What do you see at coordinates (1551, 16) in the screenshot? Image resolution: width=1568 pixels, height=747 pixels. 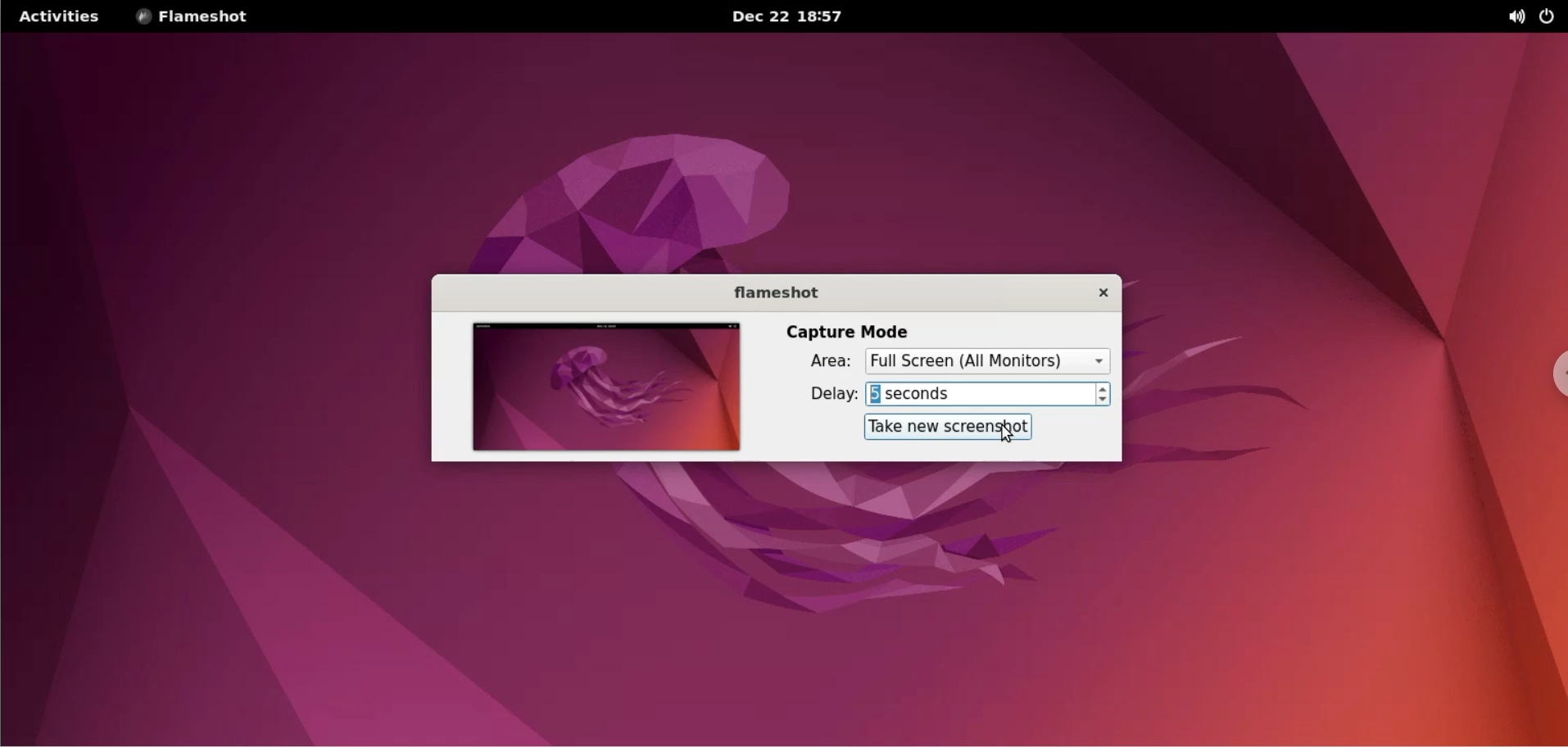 I see `power options ` at bounding box center [1551, 16].